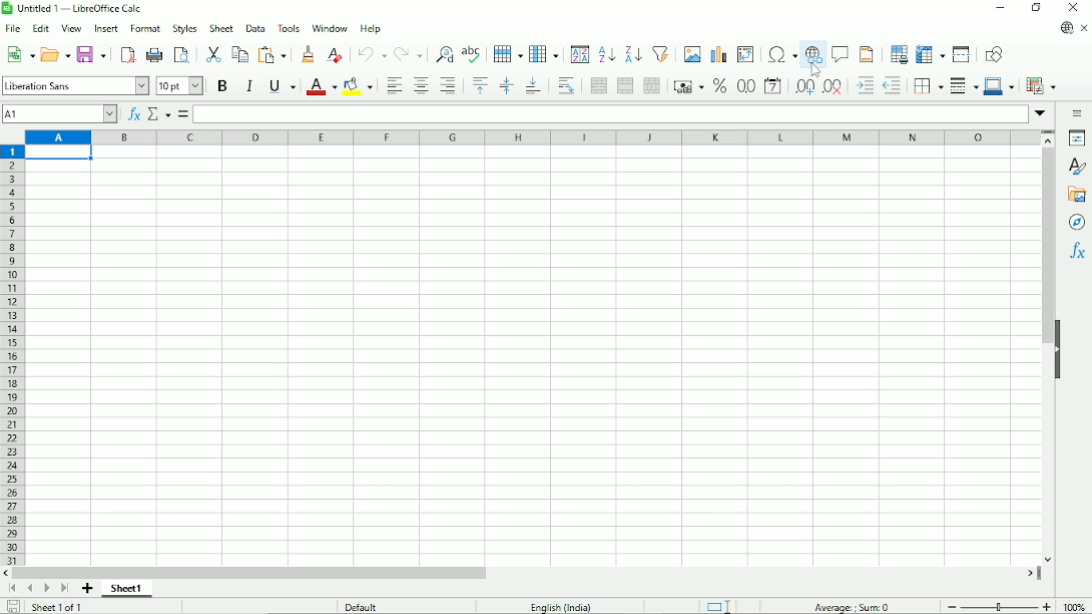  Describe the element at coordinates (745, 55) in the screenshot. I see `Insert or edit pivot table` at that location.